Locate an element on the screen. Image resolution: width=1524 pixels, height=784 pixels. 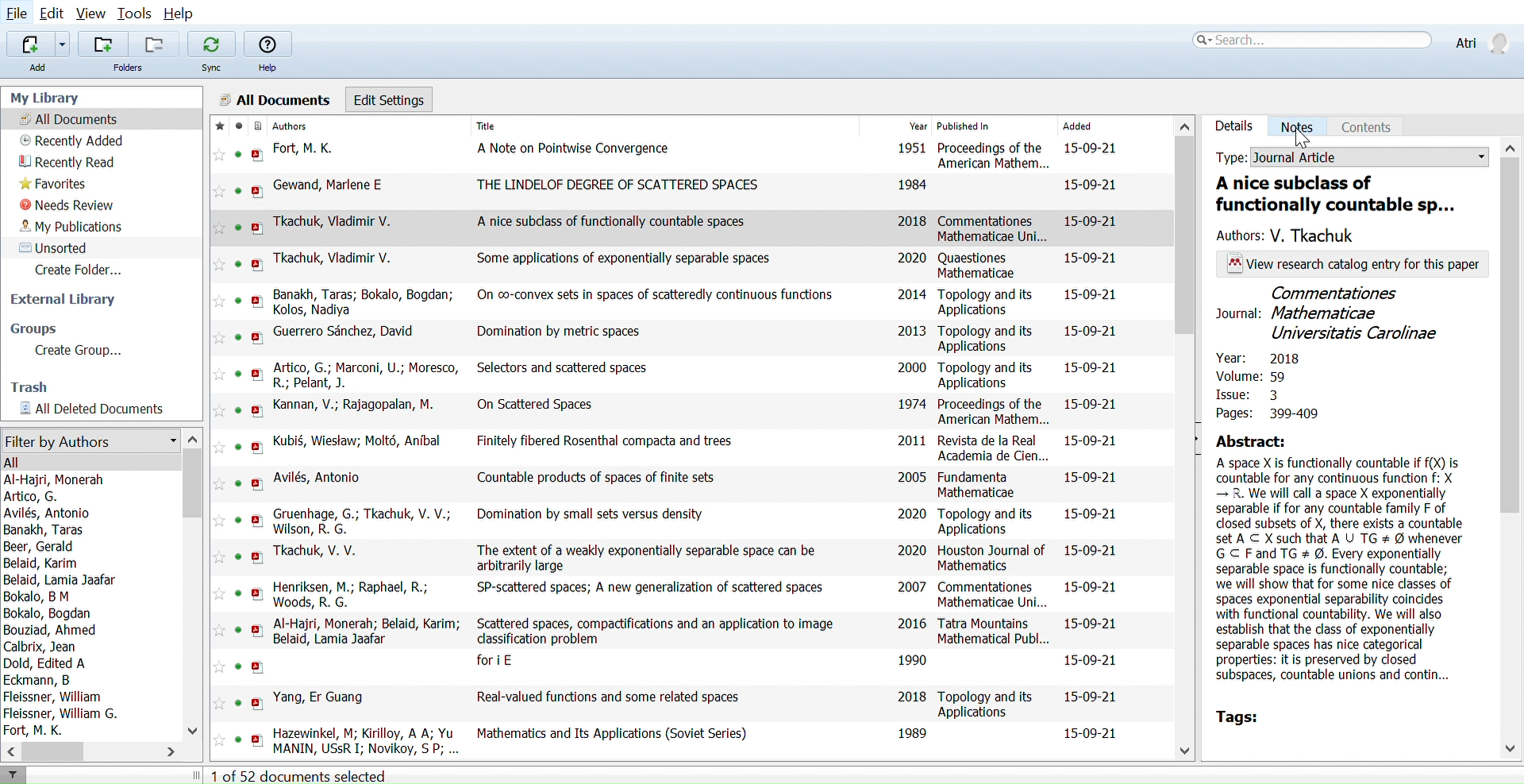
Tkachuk, Vladimir V. is located at coordinates (333, 258).